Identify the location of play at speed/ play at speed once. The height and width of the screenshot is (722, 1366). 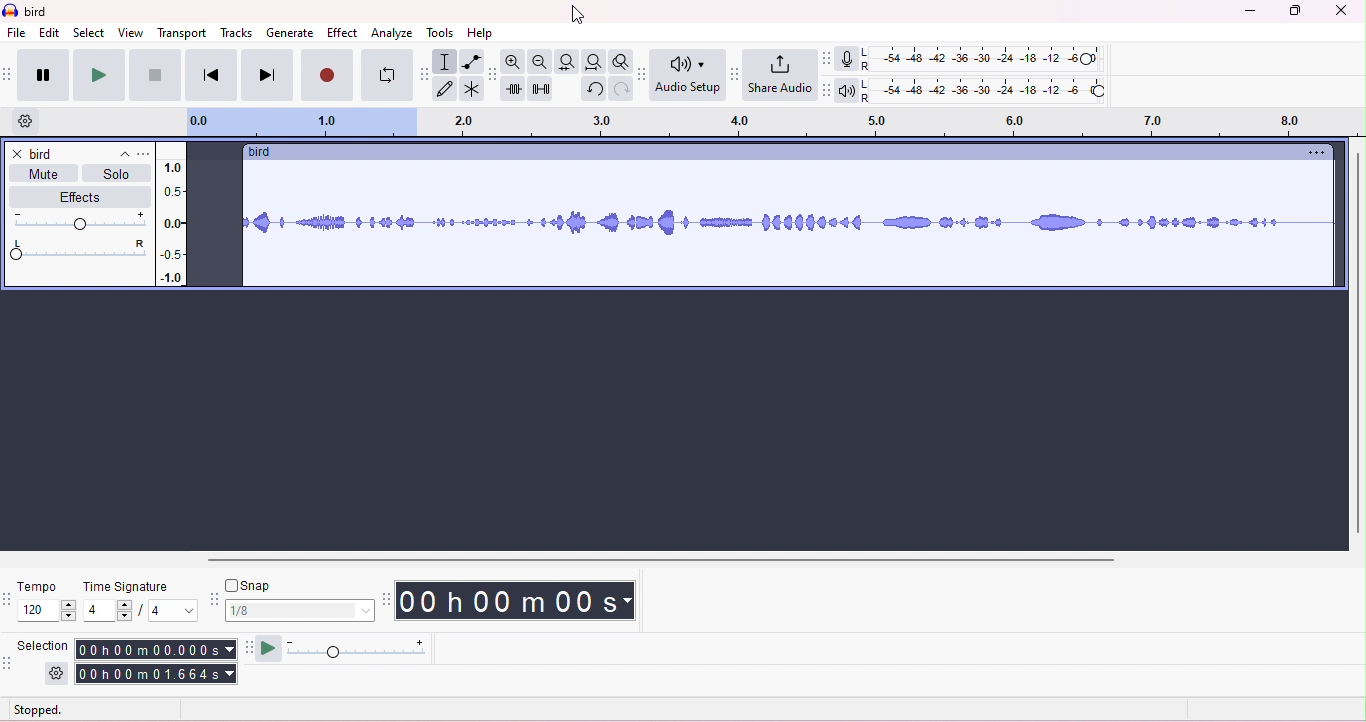
(268, 648).